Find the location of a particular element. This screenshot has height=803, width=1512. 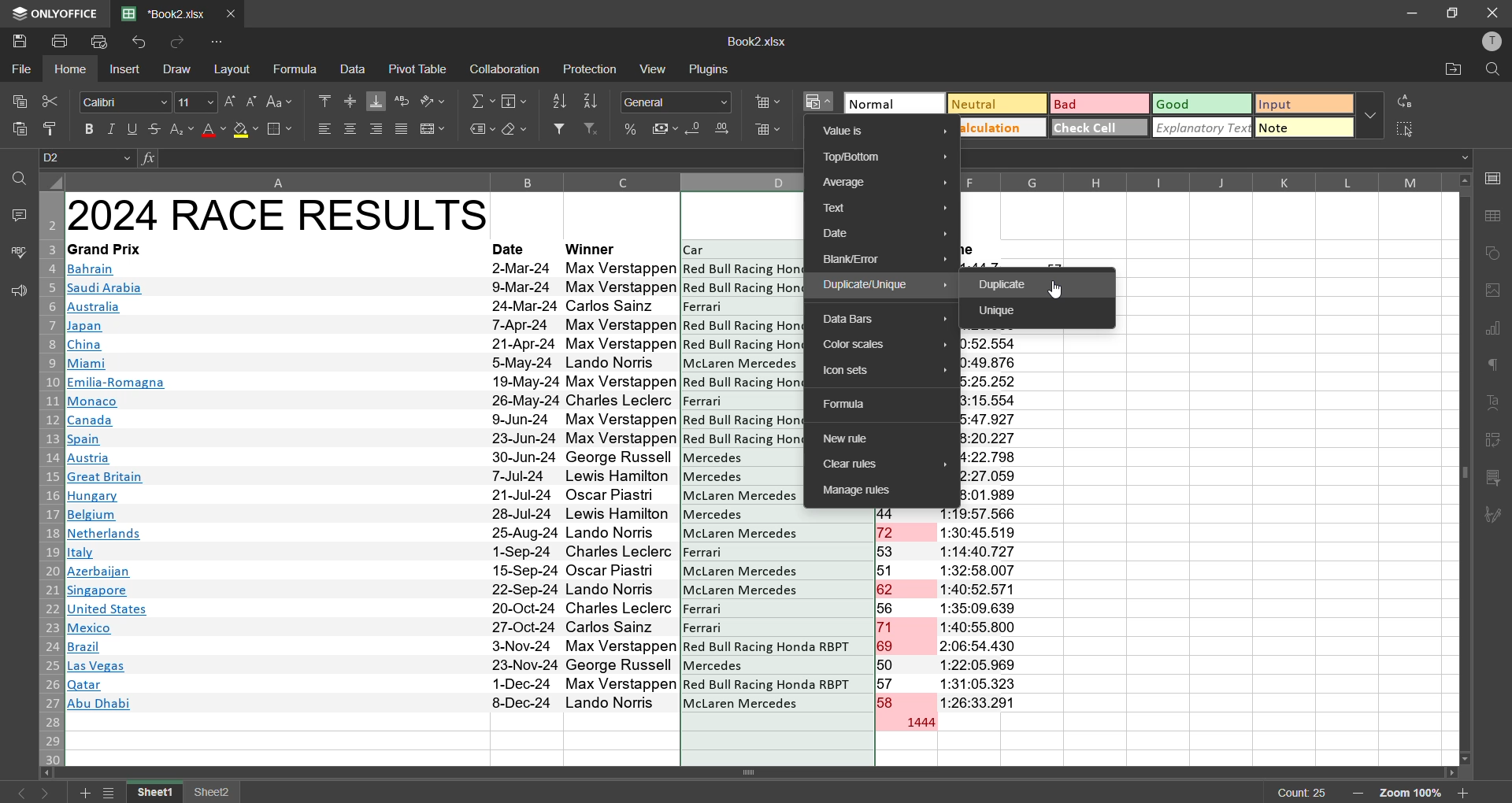

decrease decimal is located at coordinates (696, 131).